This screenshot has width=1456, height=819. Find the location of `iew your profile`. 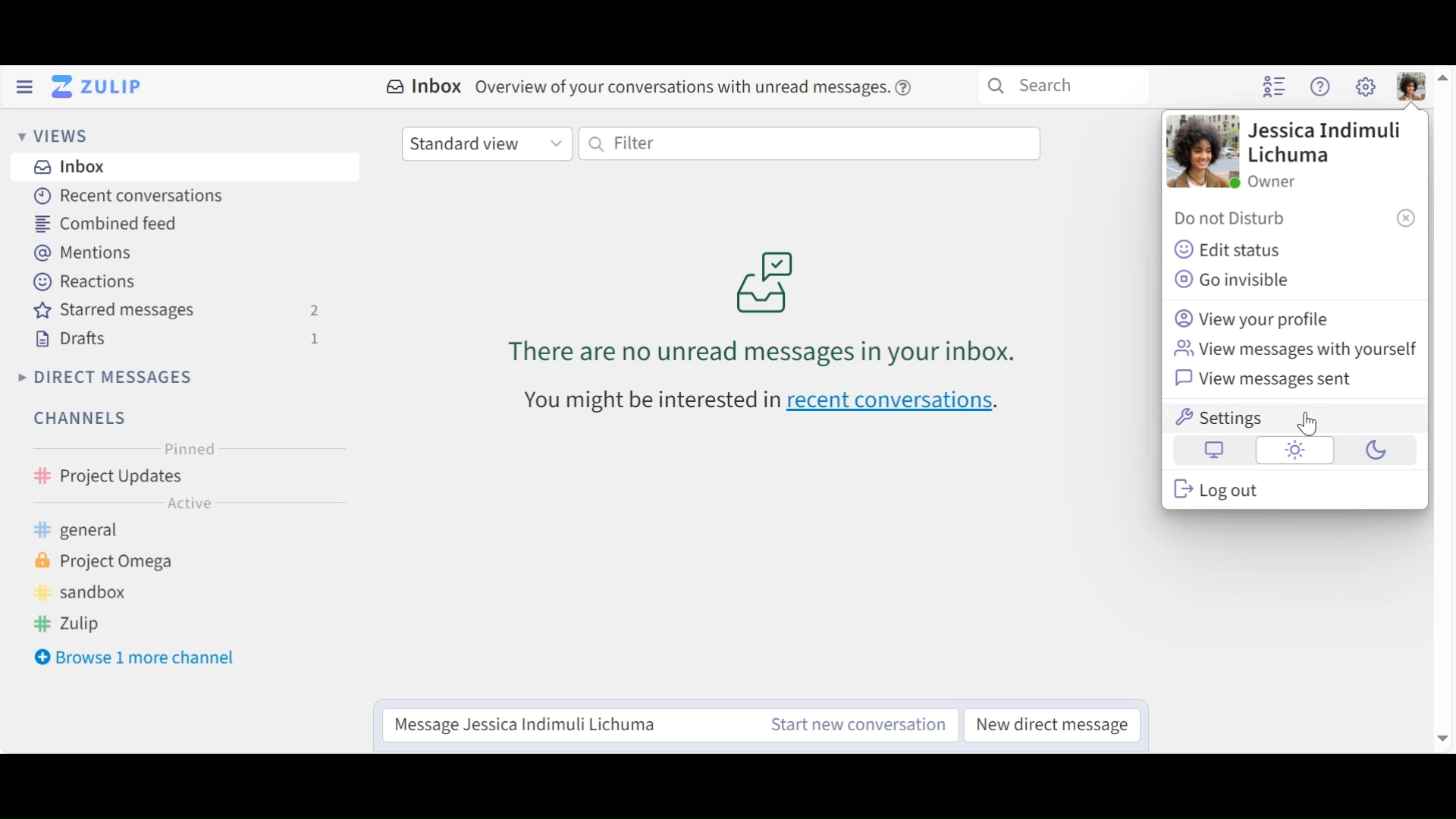

iew your profile is located at coordinates (1250, 318).